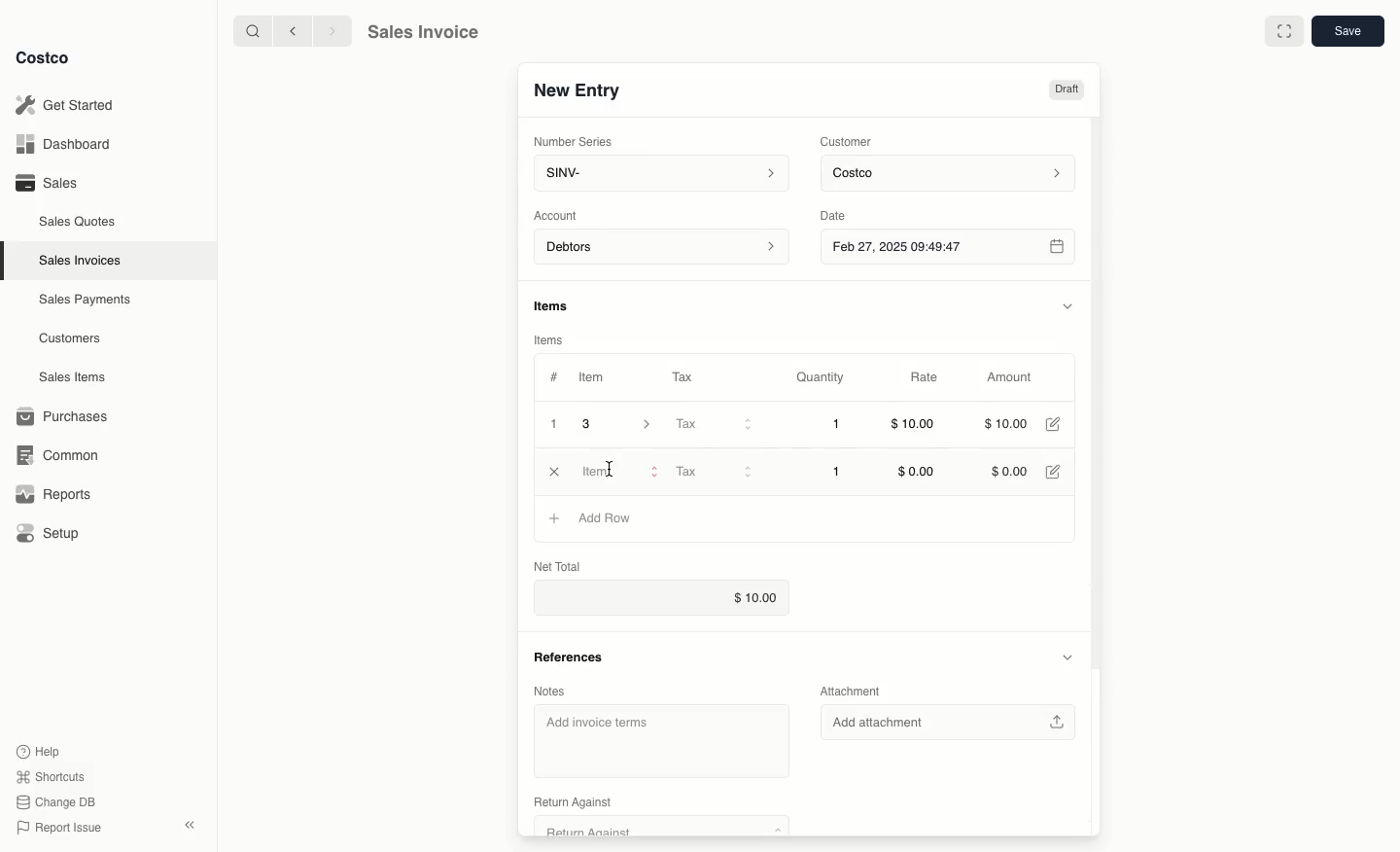 The width and height of the screenshot is (1400, 852). Describe the element at coordinates (609, 468) in the screenshot. I see `cursor` at that location.